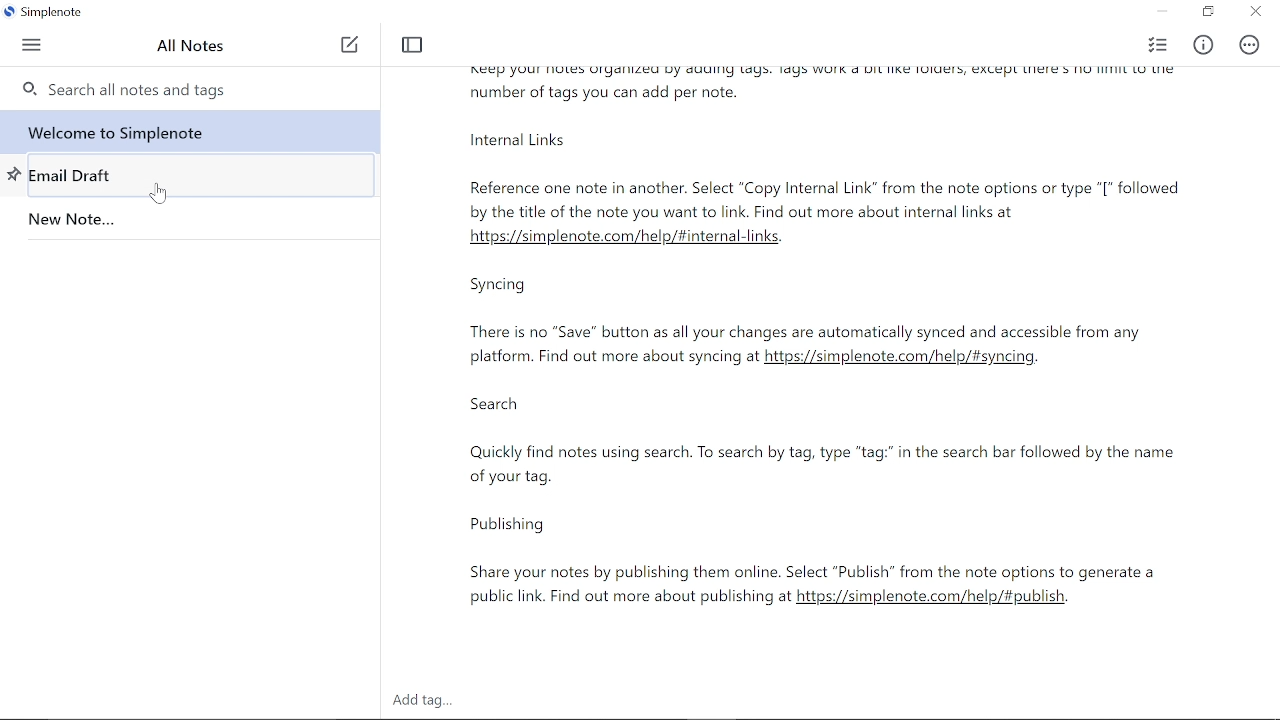 Image resolution: width=1280 pixels, height=720 pixels. Describe the element at coordinates (159, 192) in the screenshot. I see `Cursor` at that location.